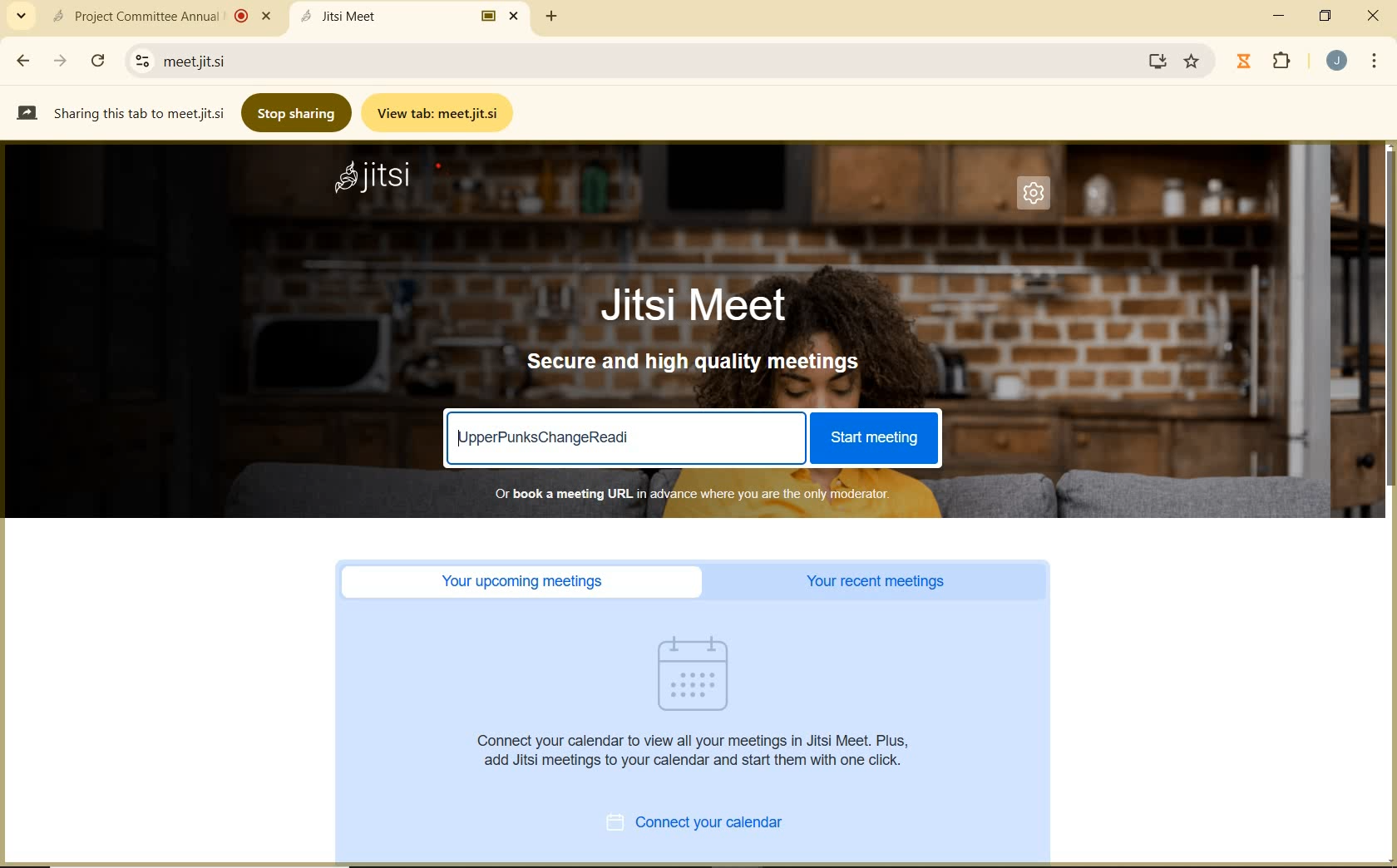 The width and height of the screenshot is (1397, 868). Describe the element at coordinates (412, 16) in the screenshot. I see `Jitsi Meet` at that location.